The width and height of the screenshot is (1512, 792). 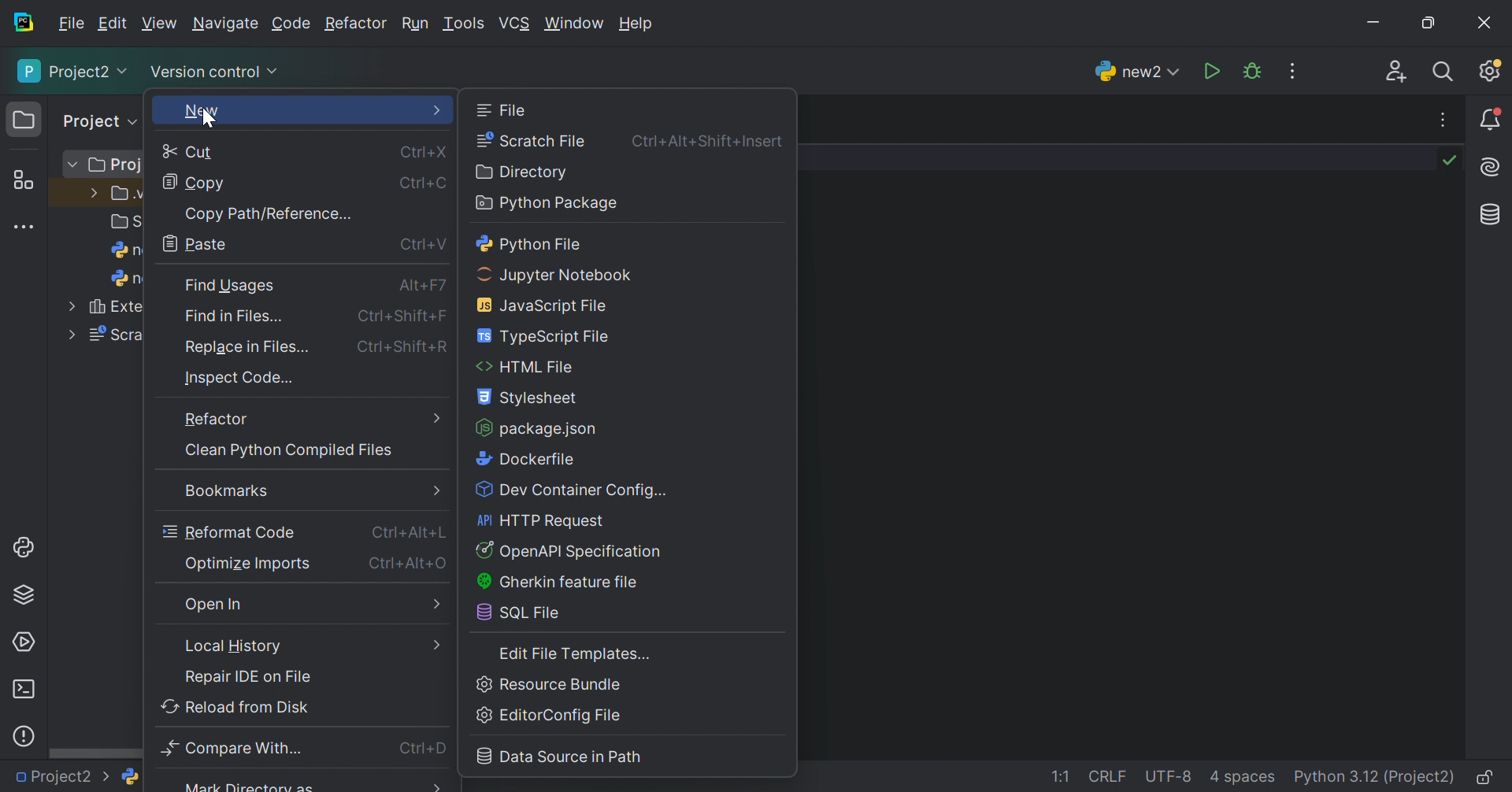 I want to click on Ctrl+Alt+Shift+Insert, so click(x=706, y=142).